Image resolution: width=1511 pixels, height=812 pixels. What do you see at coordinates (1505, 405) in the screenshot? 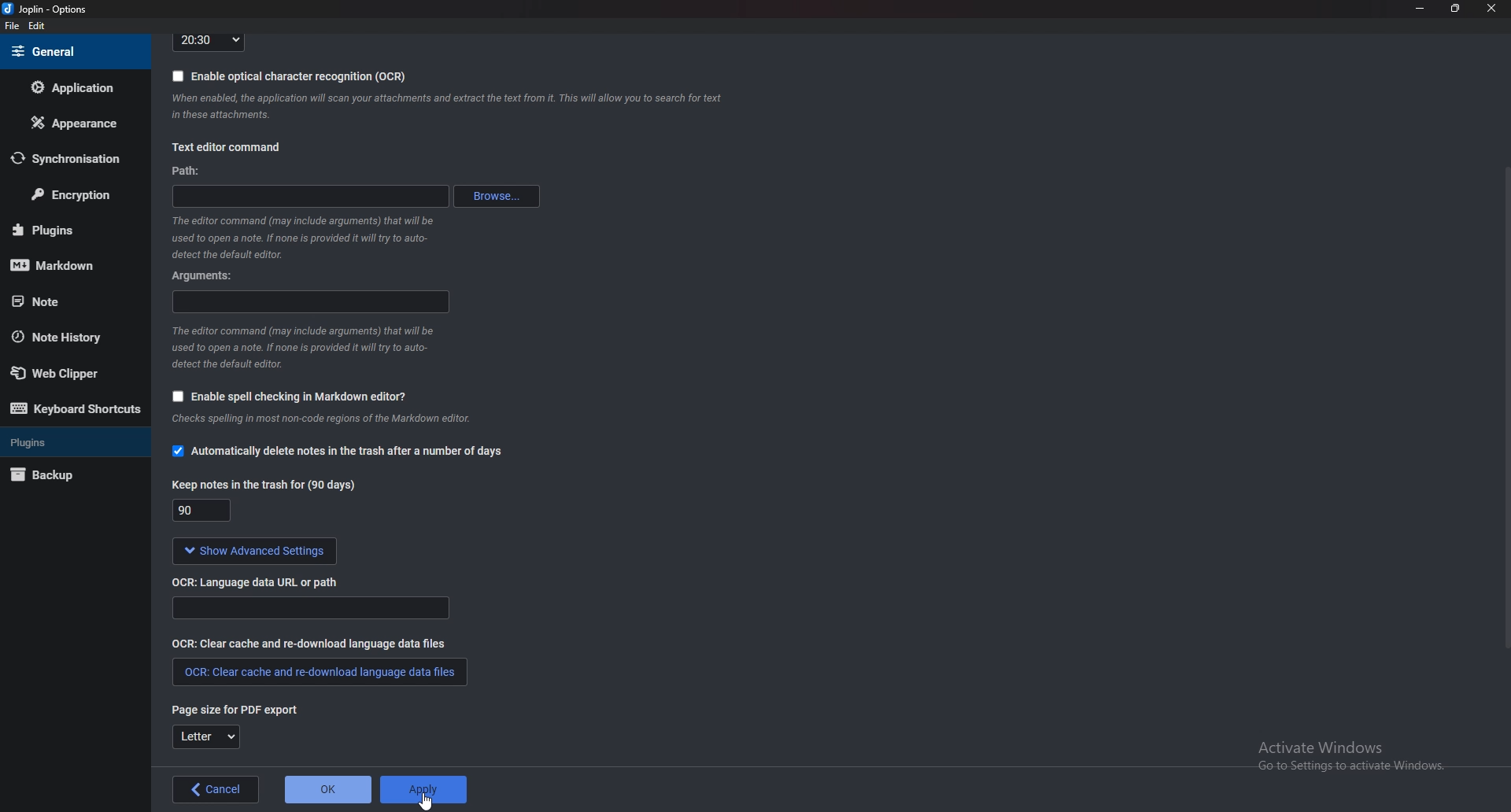
I see `Scroll bar` at bounding box center [1505, 405].